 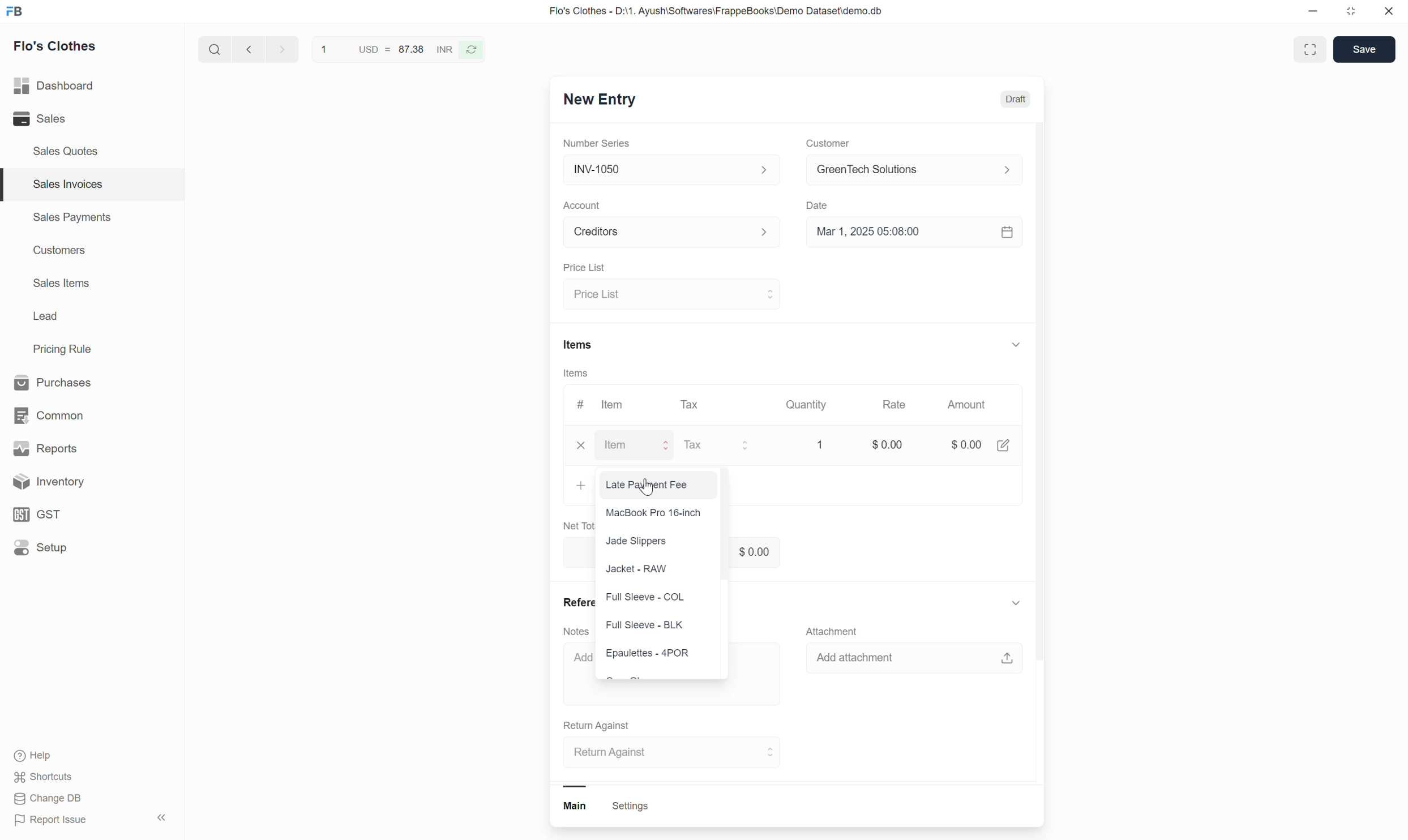 What do you see at coordinates (59, 755) in the screenshot?
I see `Help` at bounding box center [59, 755].